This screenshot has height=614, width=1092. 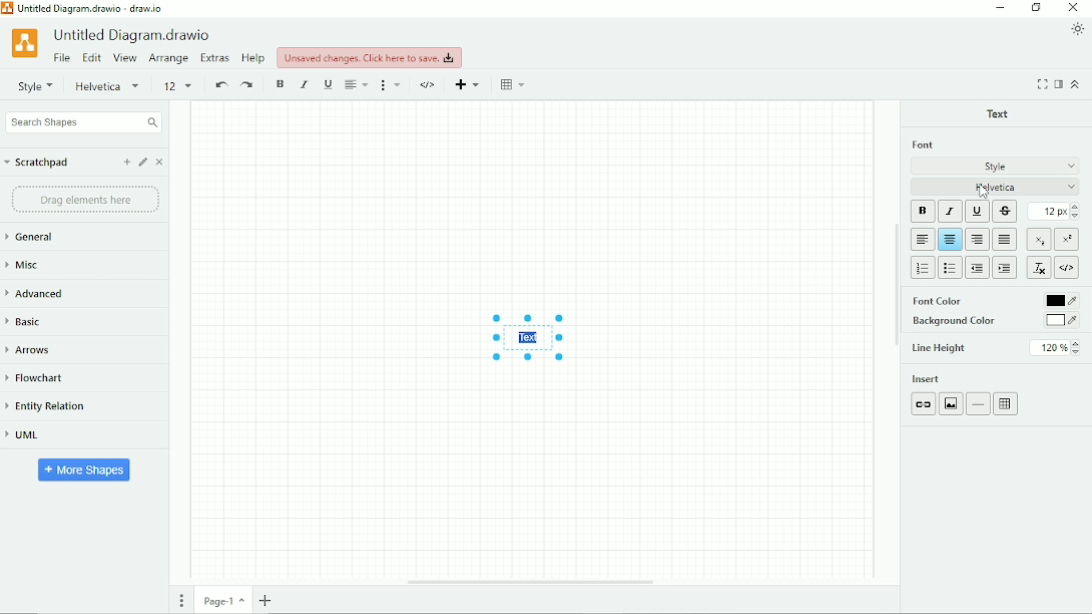 What do you see at coordinates (923, 212) in the screenshot?
I see `Bold` at bounding box center [923, 212].